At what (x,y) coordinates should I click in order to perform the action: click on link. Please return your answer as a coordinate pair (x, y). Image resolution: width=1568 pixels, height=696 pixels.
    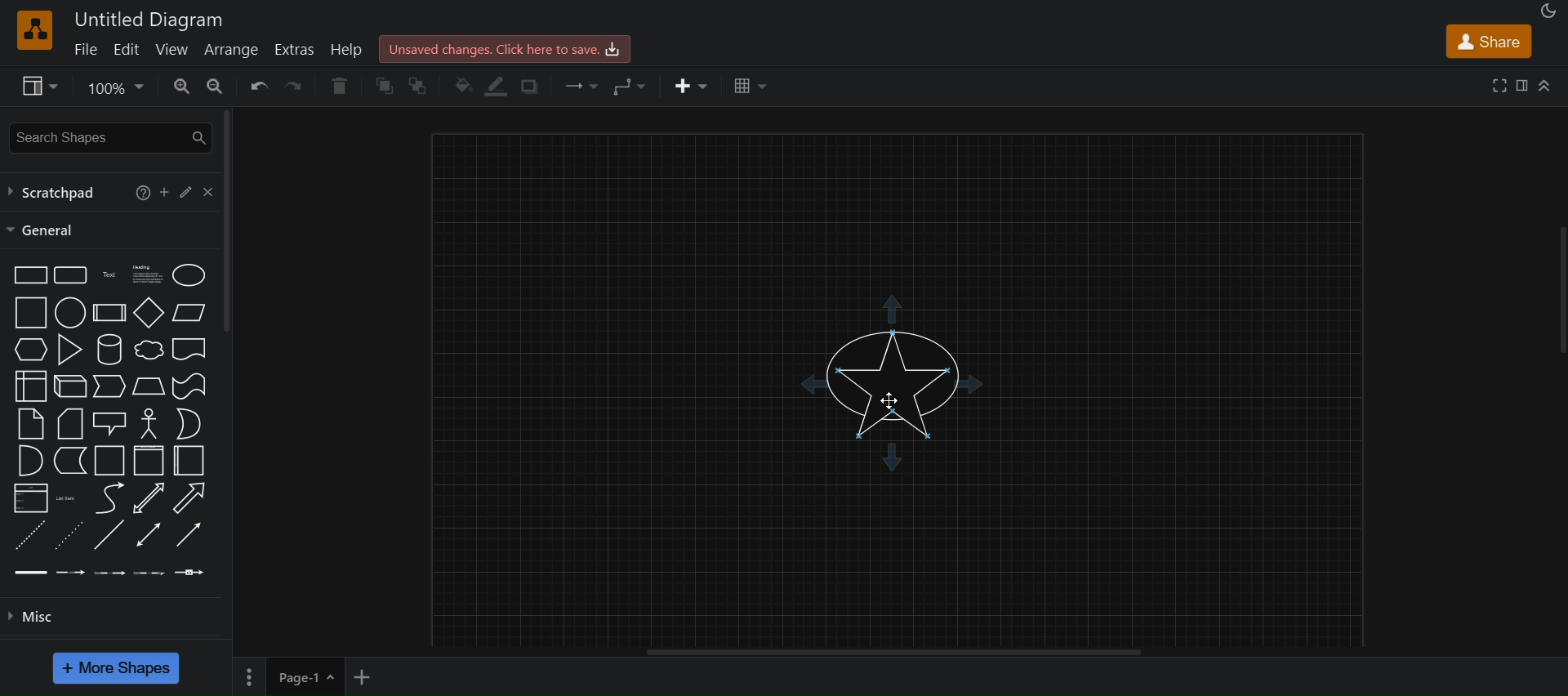
    Looking at the image, I should click on (28, 572).